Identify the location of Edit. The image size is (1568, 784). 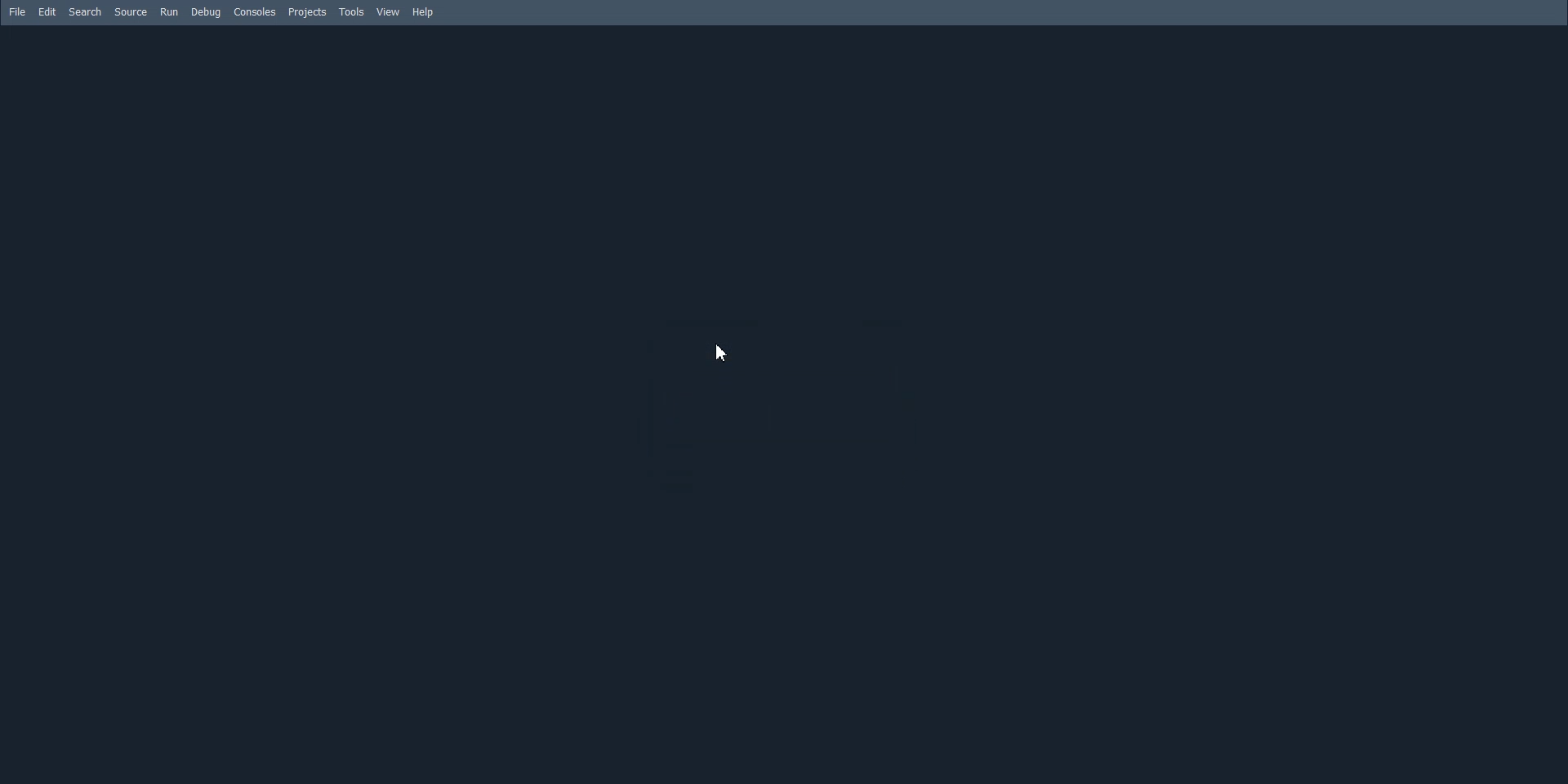
(47, 11).